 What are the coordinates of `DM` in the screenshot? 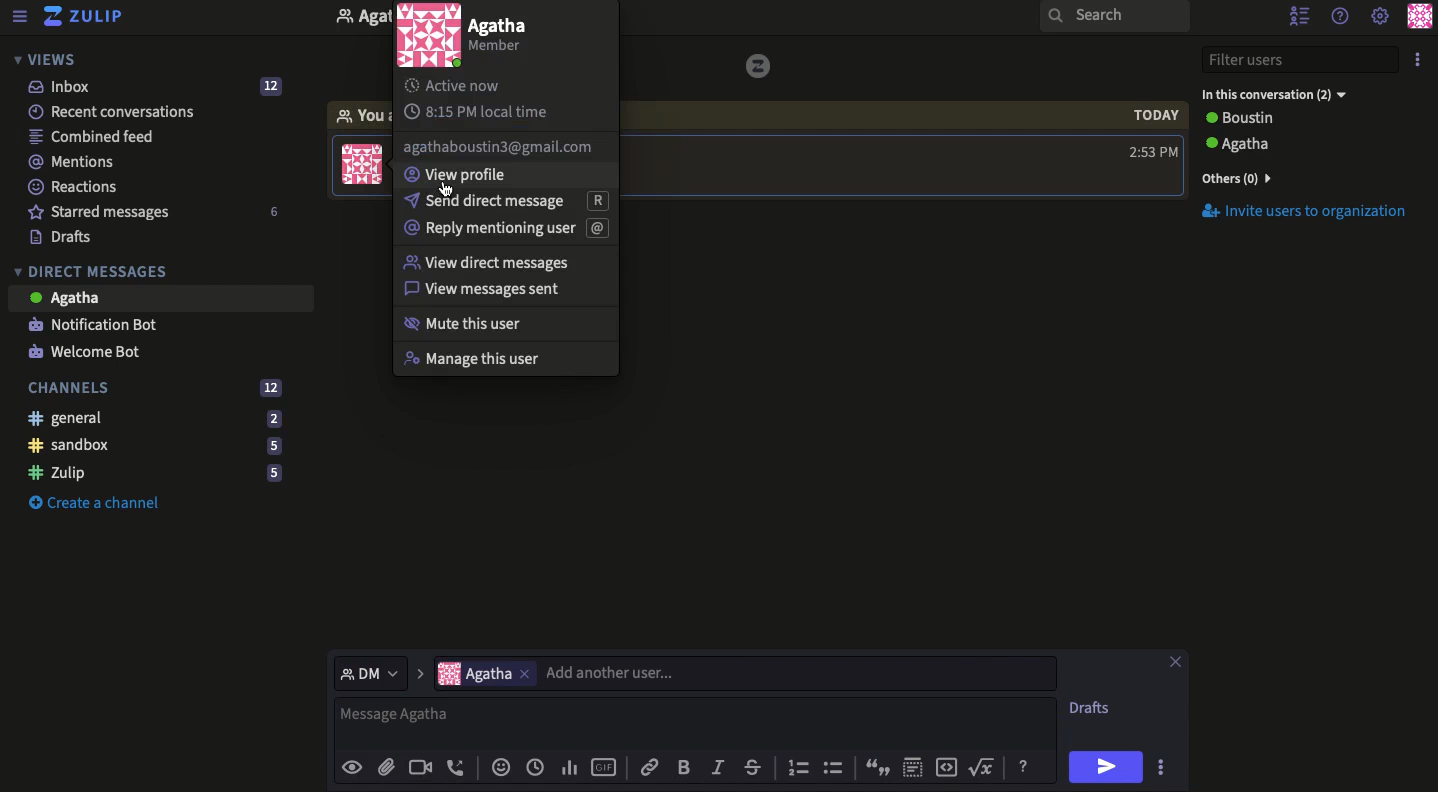 It's located at (381, 673).